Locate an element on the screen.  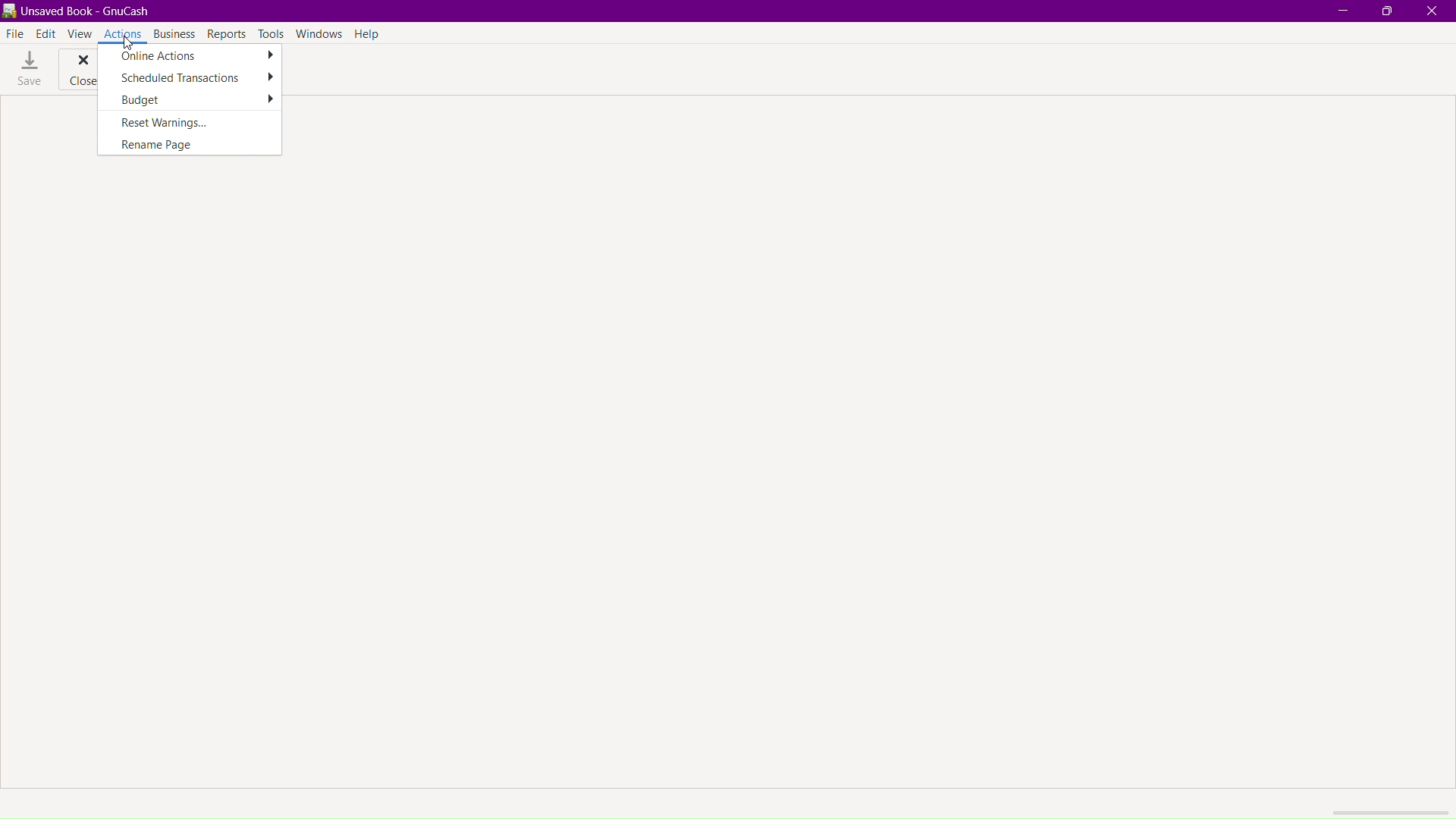
Scheduled Transactions is located at coordinates (197, 78).